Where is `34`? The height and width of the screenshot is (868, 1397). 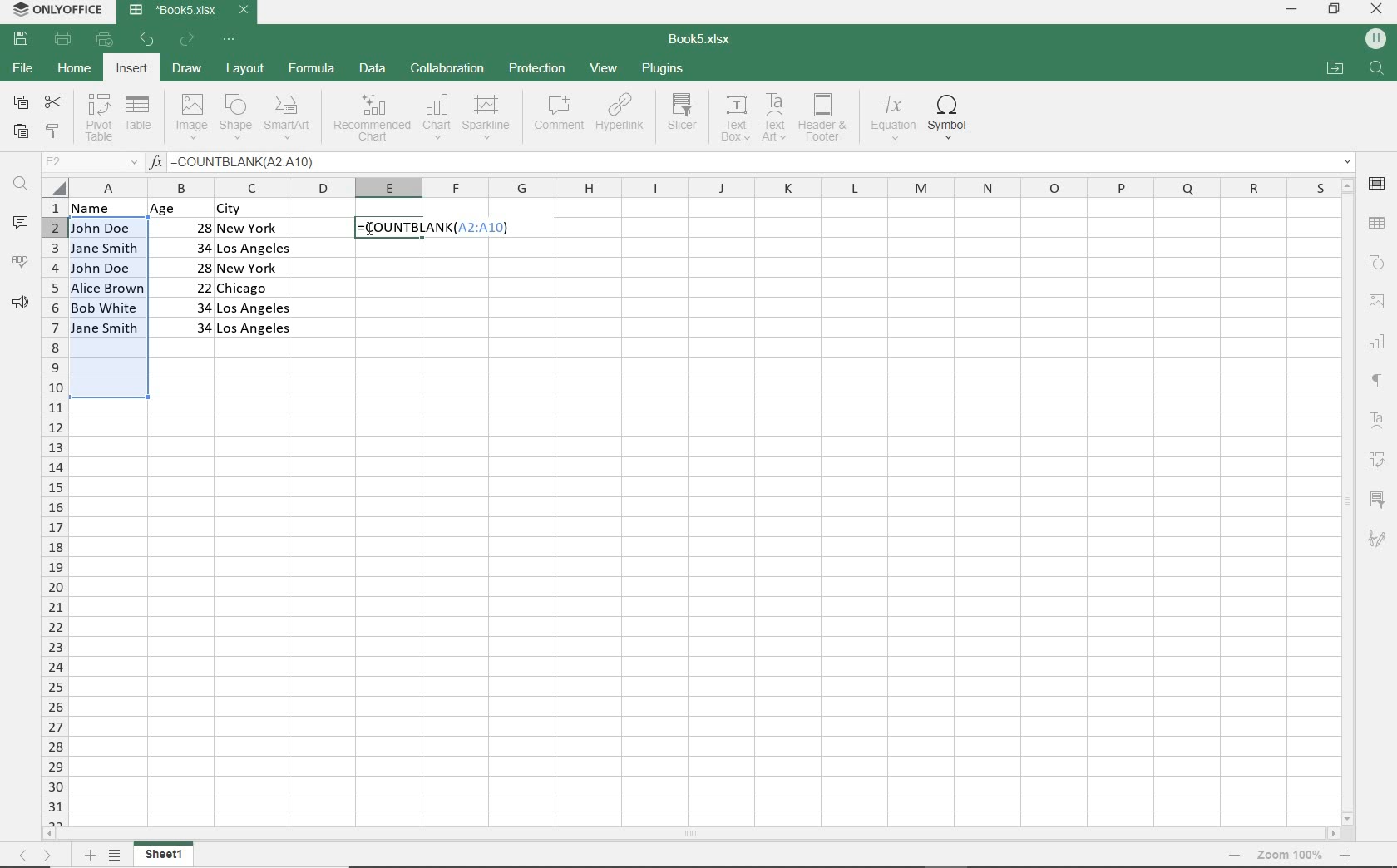 34 is located at coordinates (185, 306).